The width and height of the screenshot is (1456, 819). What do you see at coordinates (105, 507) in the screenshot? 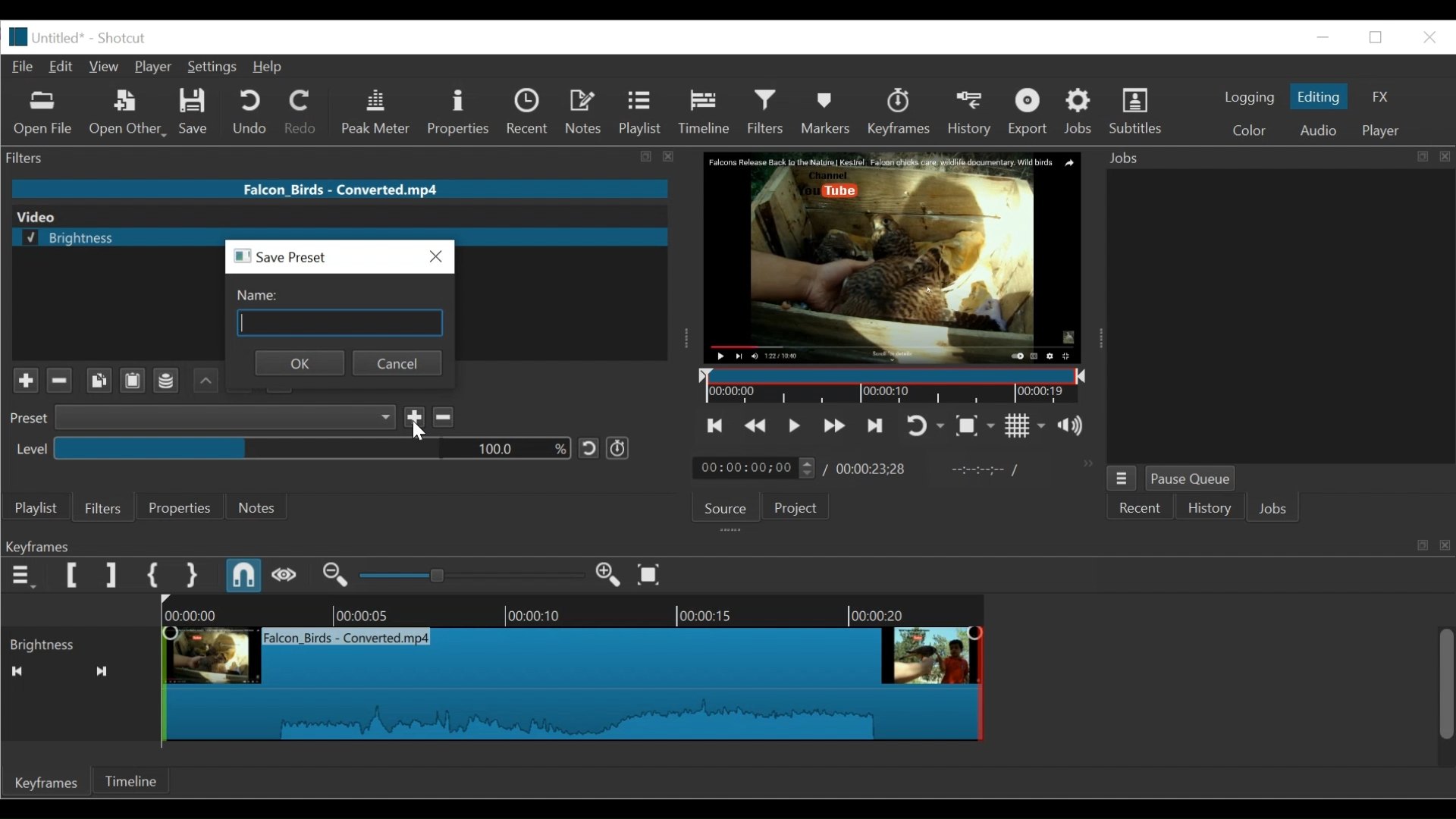
I see `Filters` at bounding box center [105, 507].